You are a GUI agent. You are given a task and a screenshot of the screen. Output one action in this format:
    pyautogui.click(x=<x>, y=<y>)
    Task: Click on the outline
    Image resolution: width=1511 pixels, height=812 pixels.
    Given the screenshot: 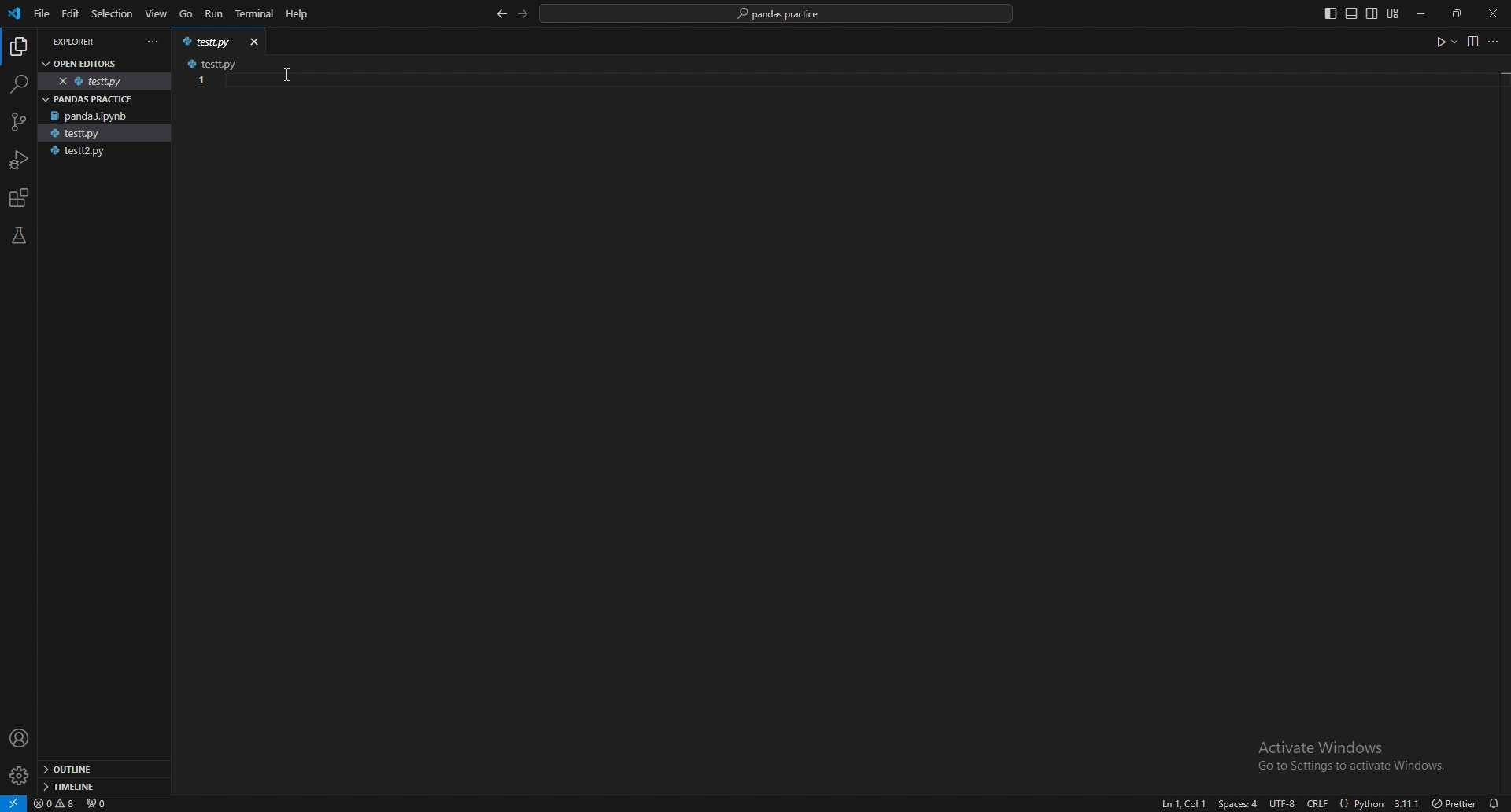 What is the action you would take?
    pyautogui.click(x=101, y=770)
    